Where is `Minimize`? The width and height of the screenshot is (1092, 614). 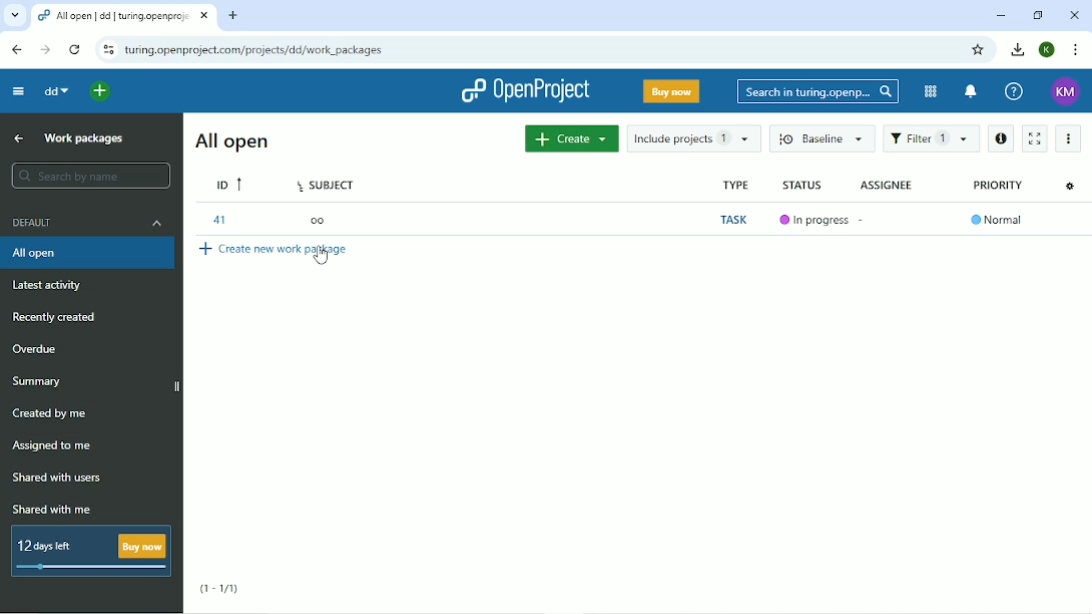
Minimize is located at coordinates (1001, 15).